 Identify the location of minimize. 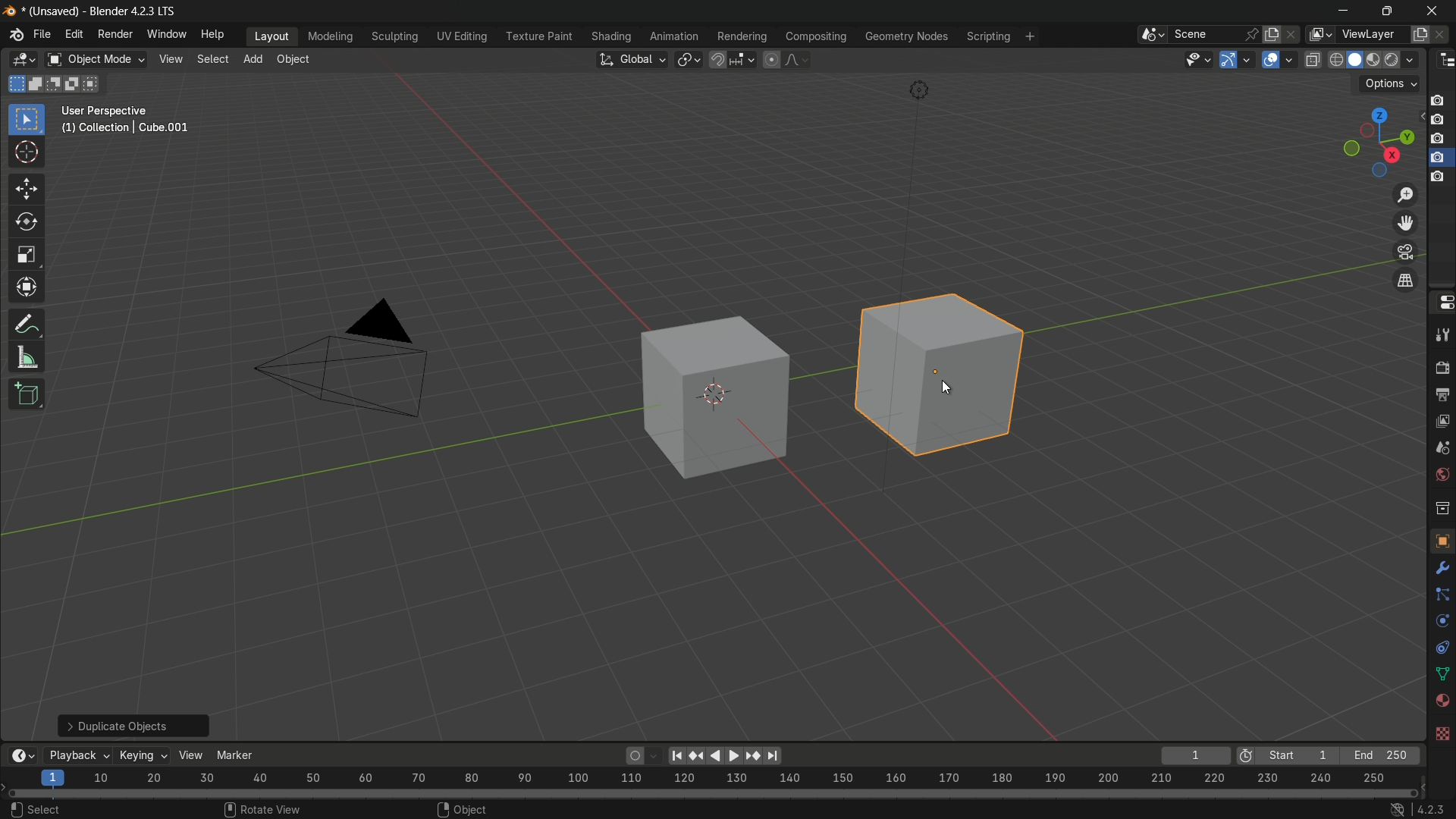
(1341, 10).